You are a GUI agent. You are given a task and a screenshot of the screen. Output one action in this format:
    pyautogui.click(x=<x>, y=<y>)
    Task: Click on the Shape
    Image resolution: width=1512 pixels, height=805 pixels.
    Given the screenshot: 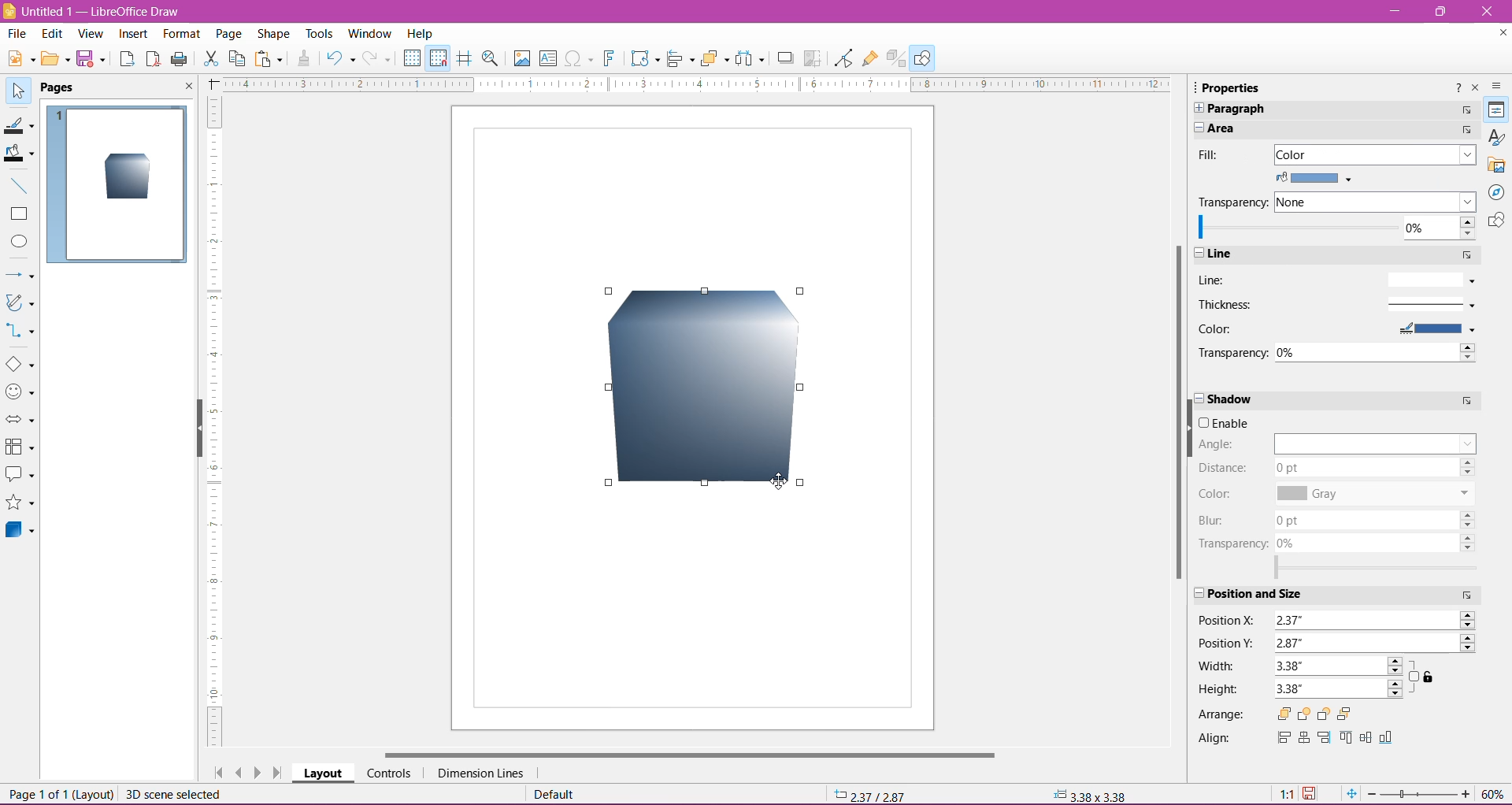 What is the action you would take?
    pyautogui.click(x=273, y=35)
    